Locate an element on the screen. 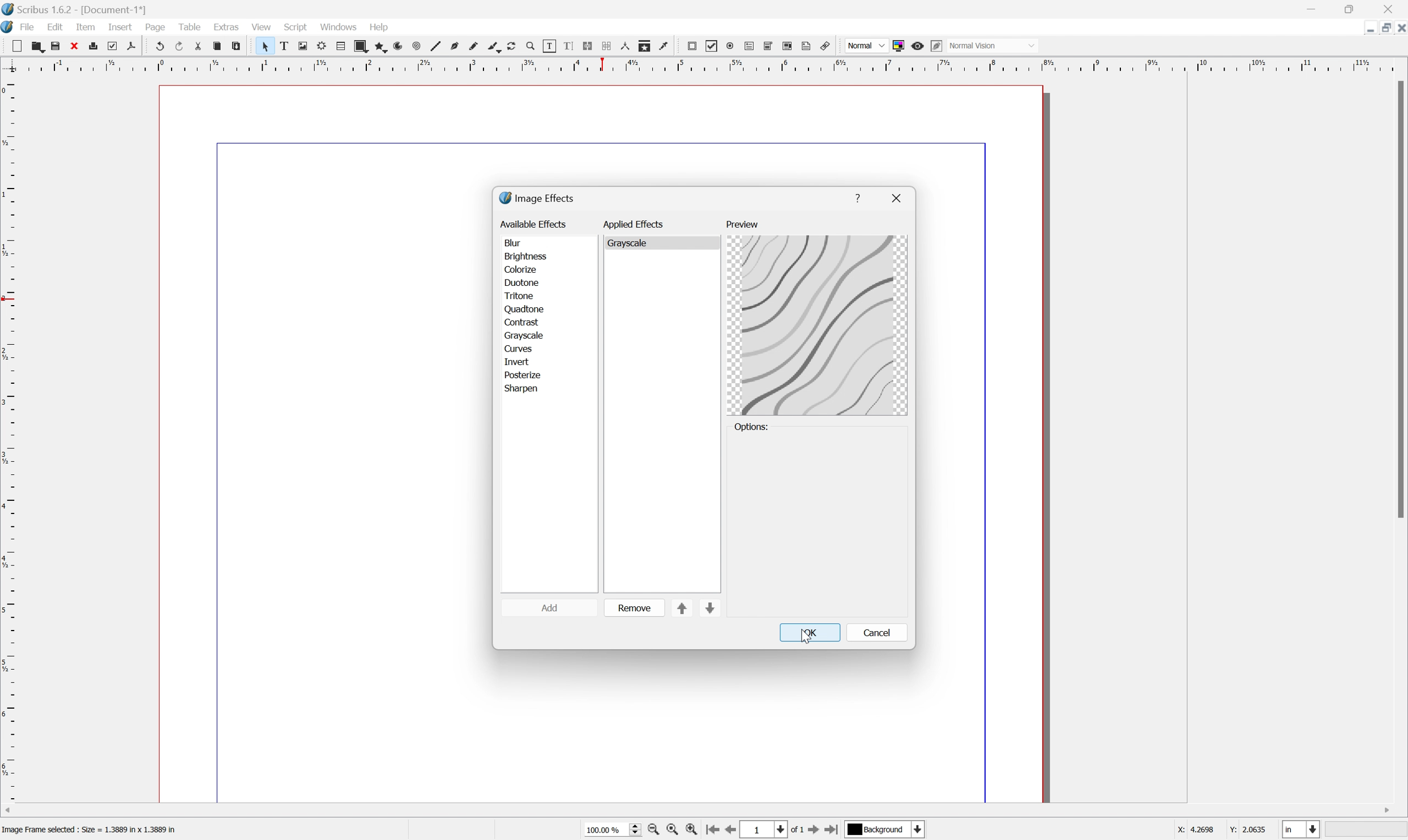 This screenshot has height=840, width=1408. PDF list box is located at coordinates (790, 46).